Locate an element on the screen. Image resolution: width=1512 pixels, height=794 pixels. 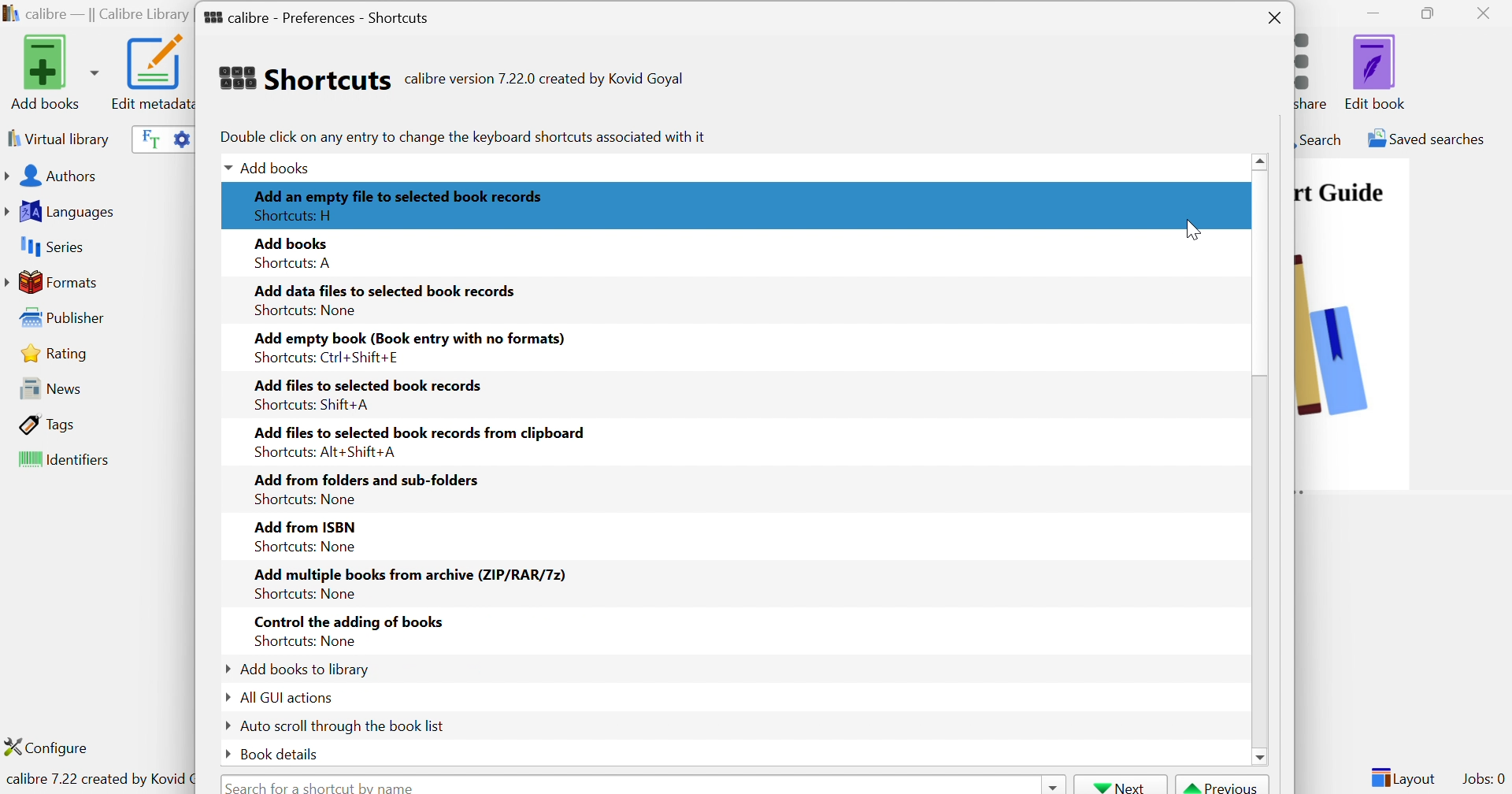
Shortcuts: A is located at coordinates (295, 262).